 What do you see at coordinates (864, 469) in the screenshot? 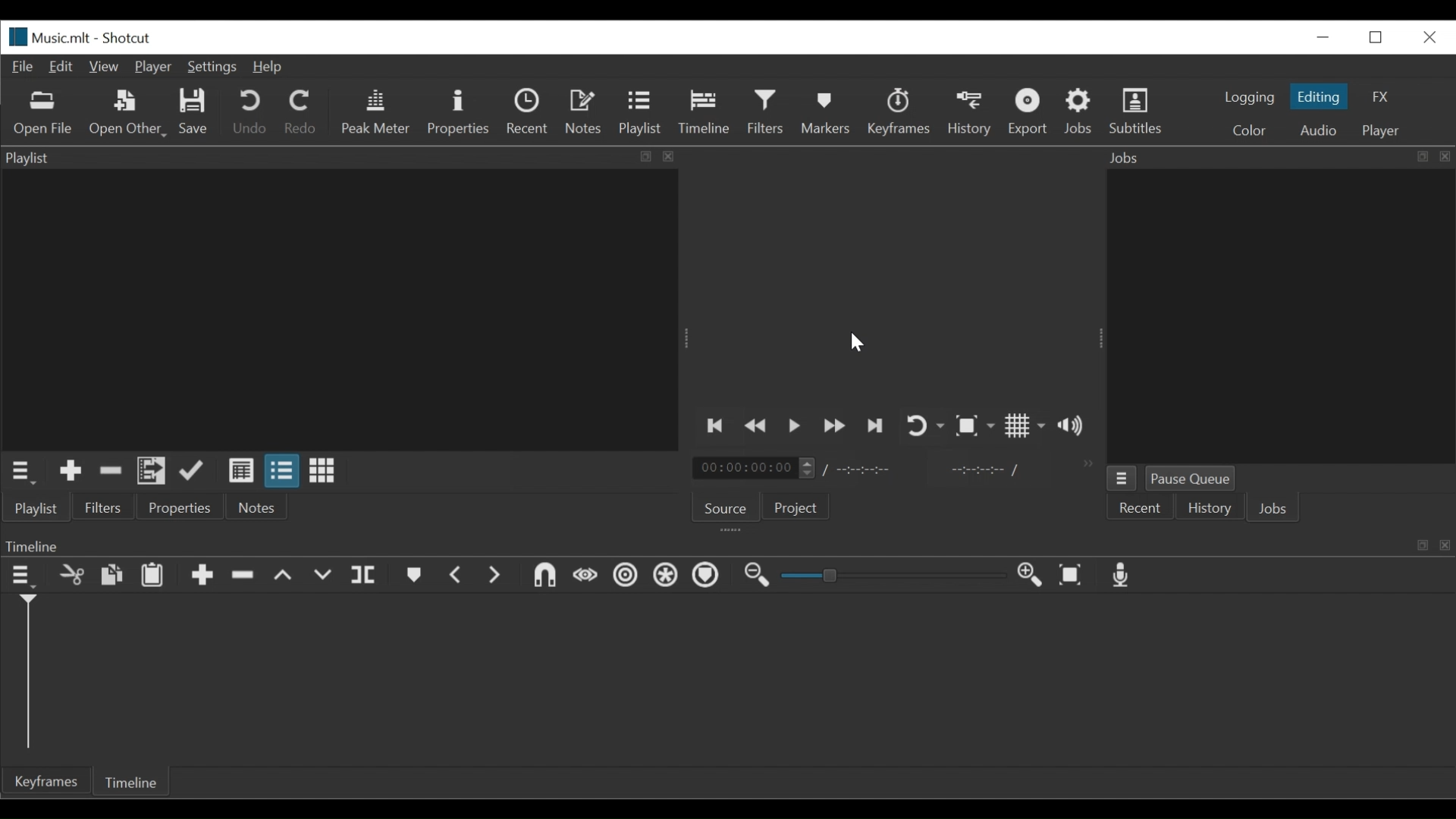
I see `Total Duration` at bounding box center [864, 469].